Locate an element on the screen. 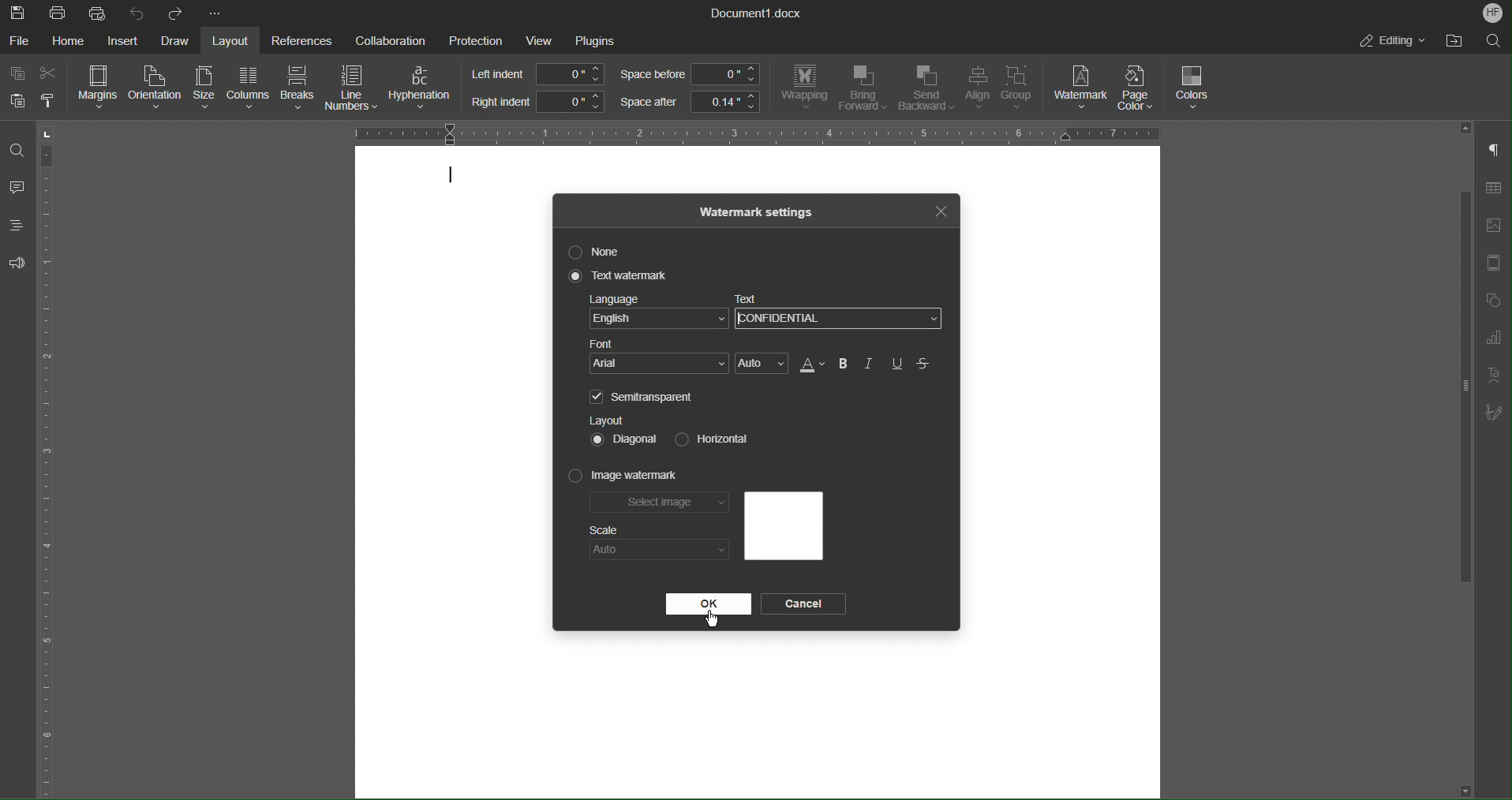 The image size is (1512, 800). Close is located at coordinates (940, 209).